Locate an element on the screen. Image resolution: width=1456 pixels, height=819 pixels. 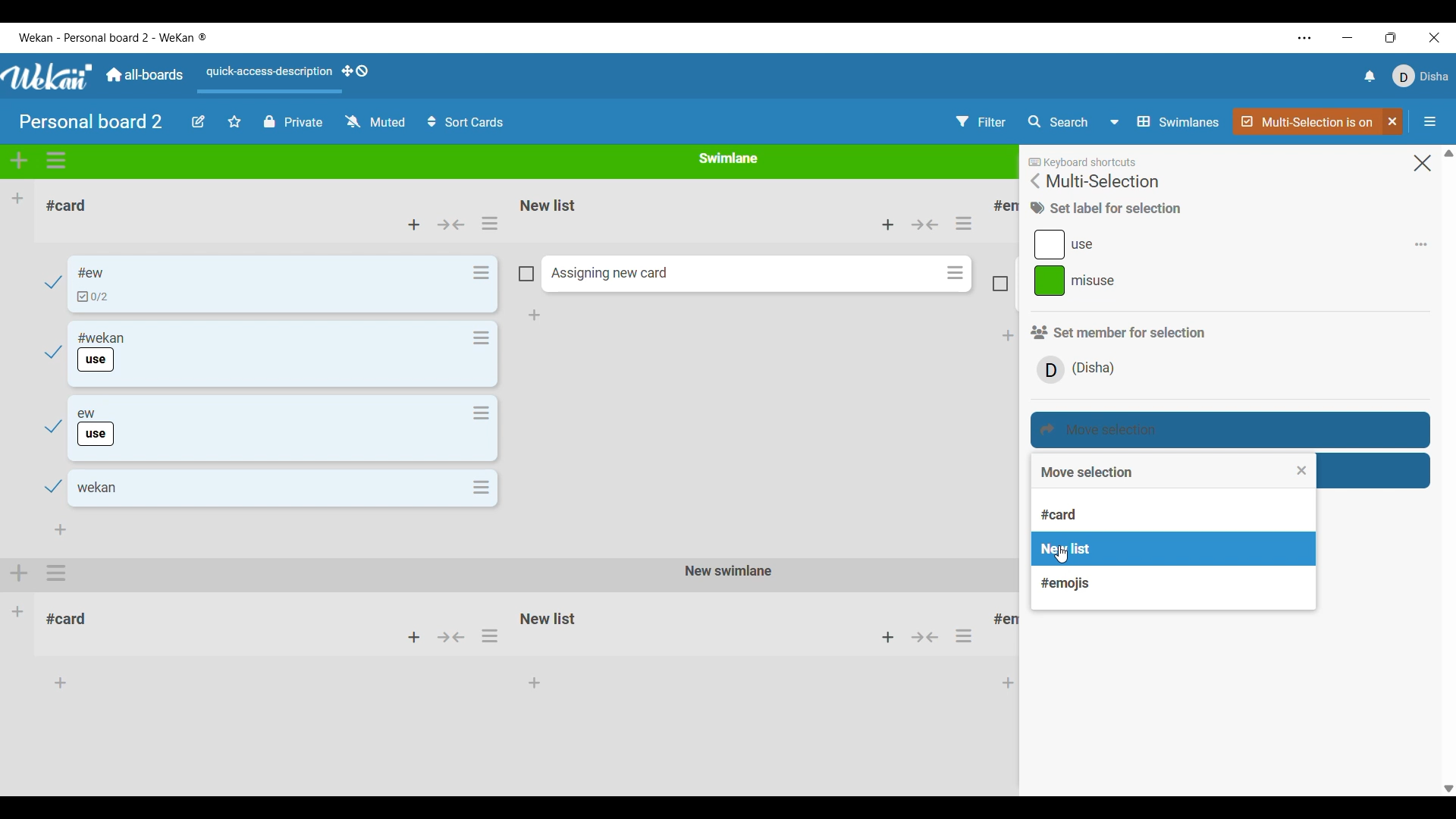
Collapse is located at coordinates (450, 224).